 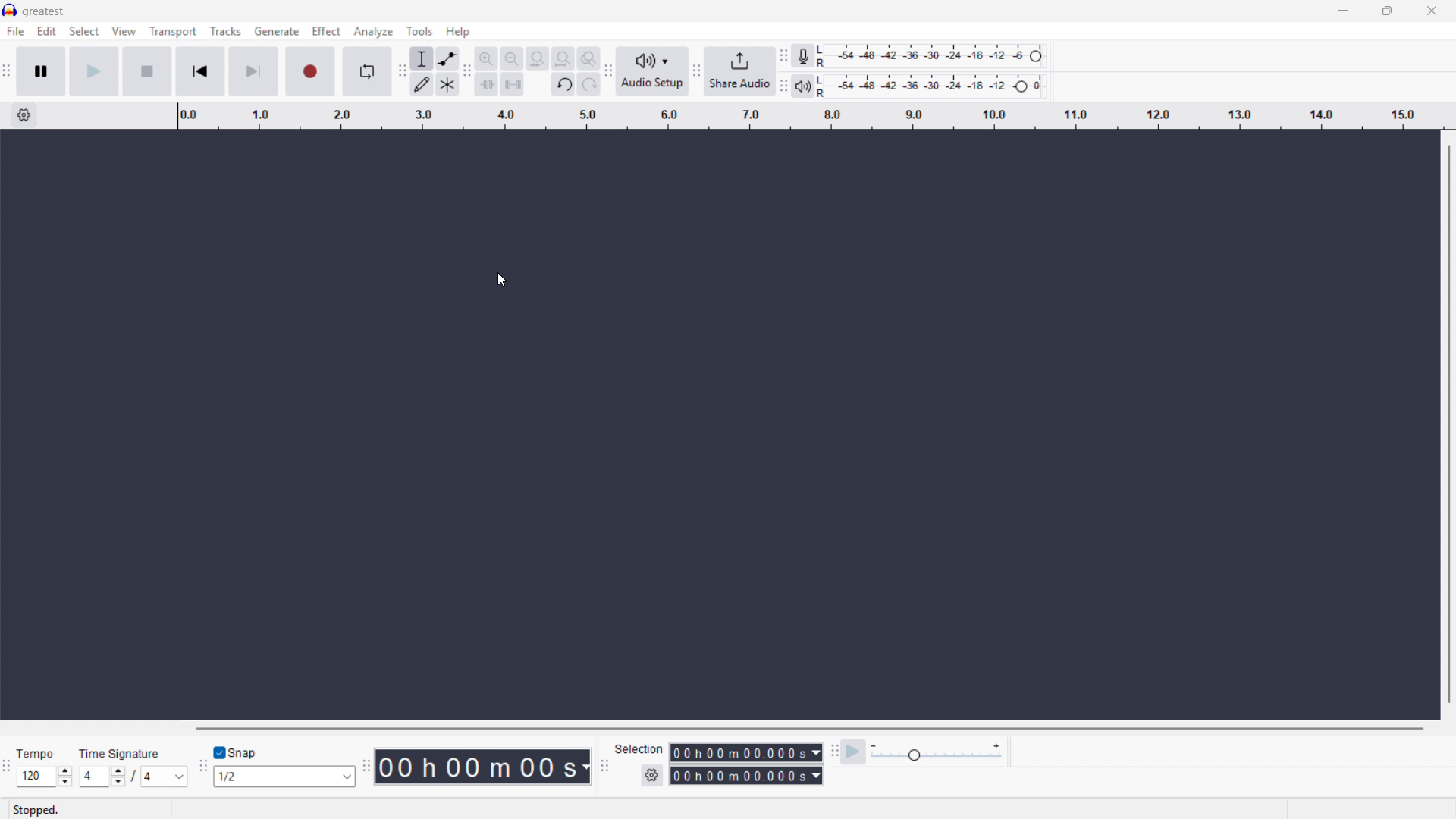 I want to click on Close , so click(x=1432, y=11).